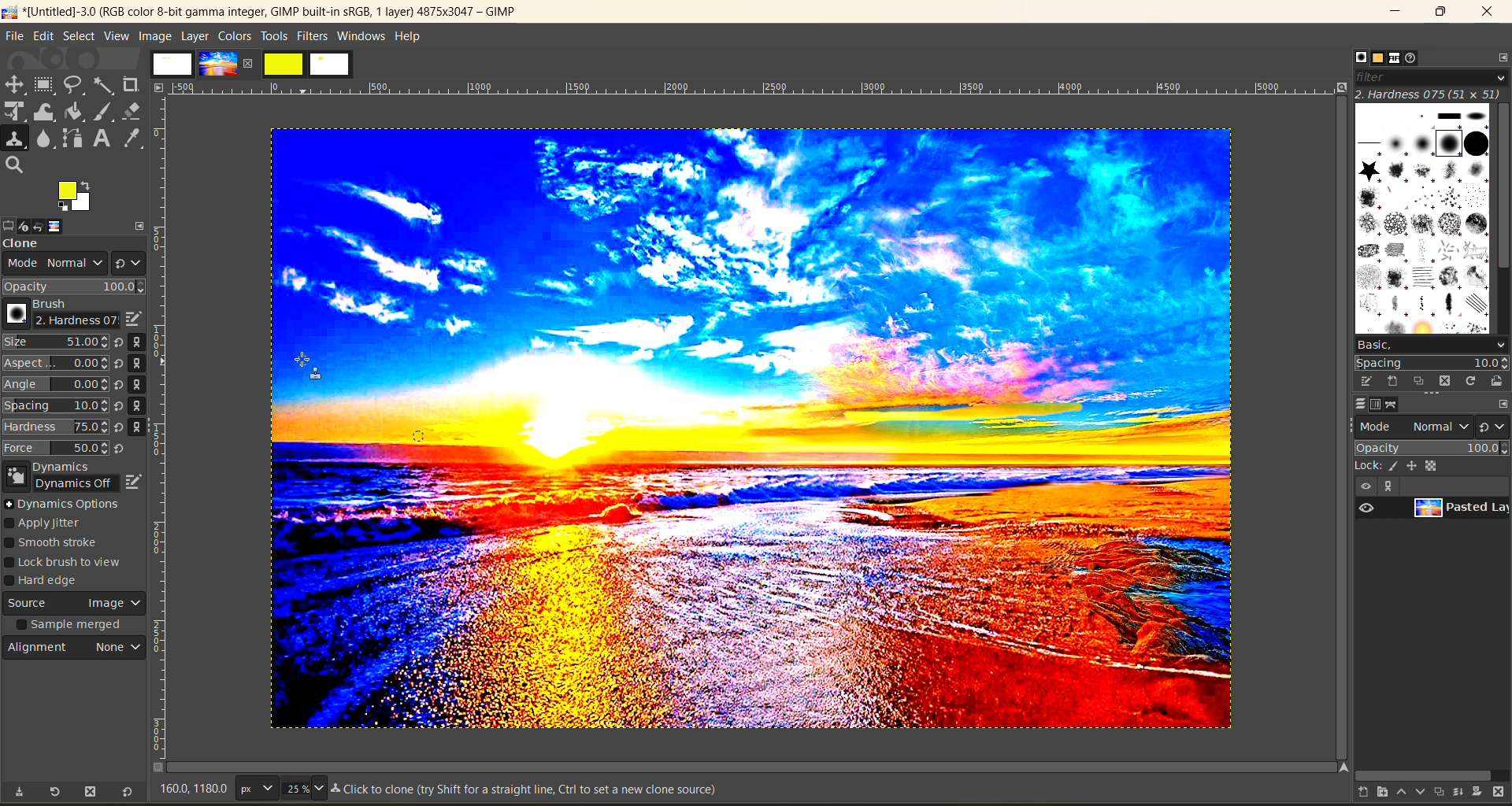 The width and height of the screenshot is (1512, 806). Describe the element at coordinates (57, 314) in the screenshot. I see `brush` at that location.